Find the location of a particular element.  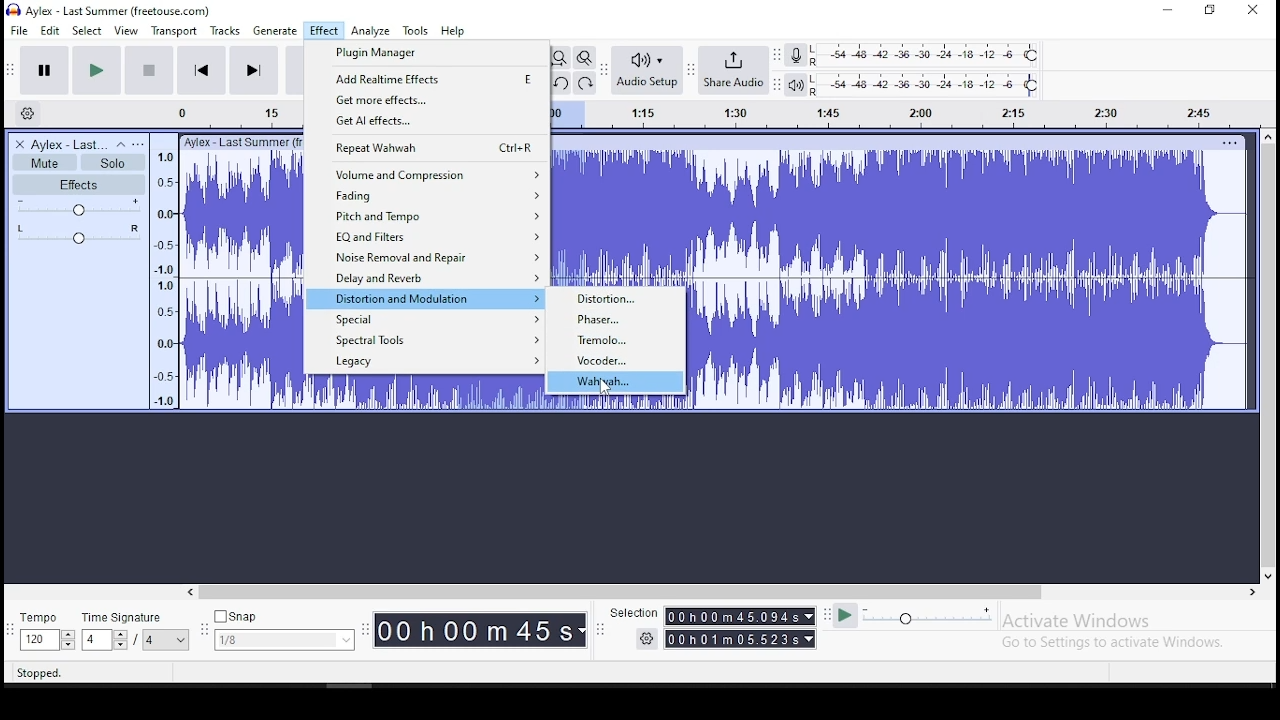

plugin manager is located at coordinates (429, 54).